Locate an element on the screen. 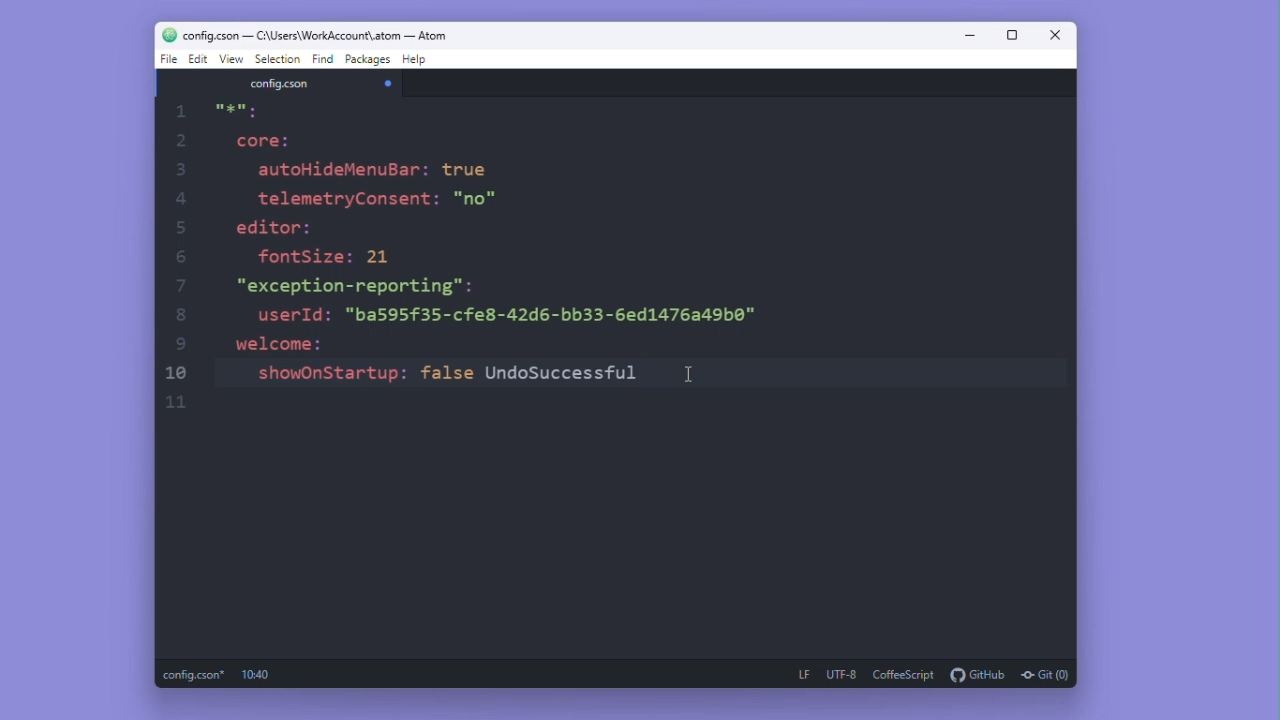  utf-8 is located at coordinates (841, 674).